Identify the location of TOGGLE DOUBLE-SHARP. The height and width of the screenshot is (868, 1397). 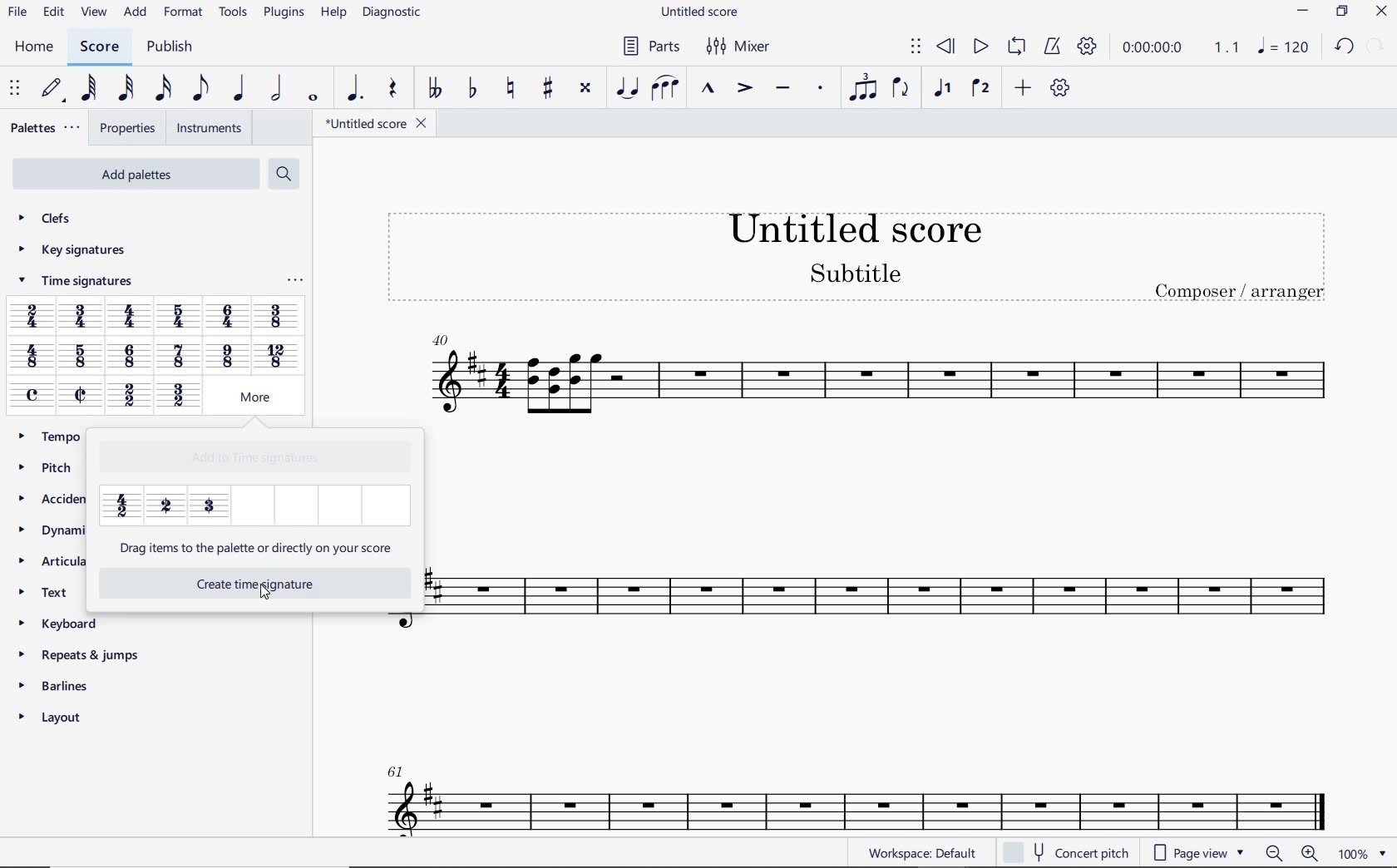
(585, 88).